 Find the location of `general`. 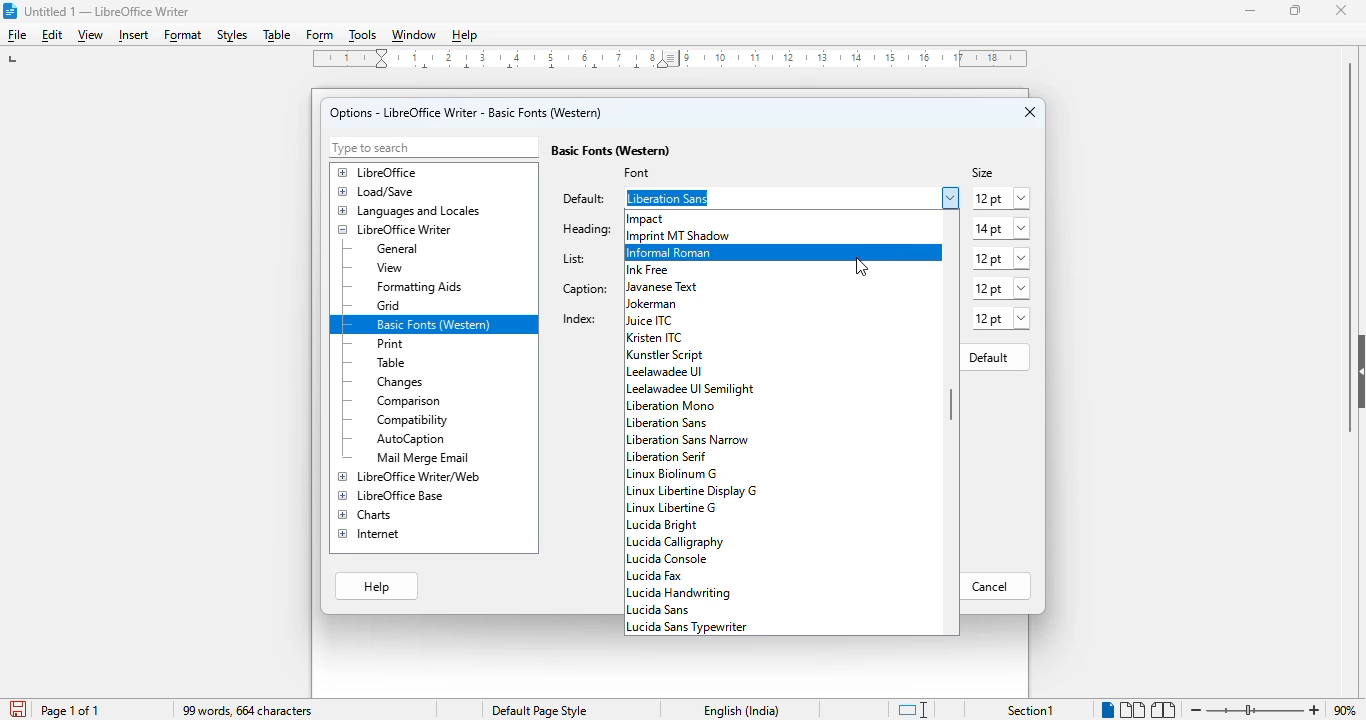

general is located at coordinates (399, 249).